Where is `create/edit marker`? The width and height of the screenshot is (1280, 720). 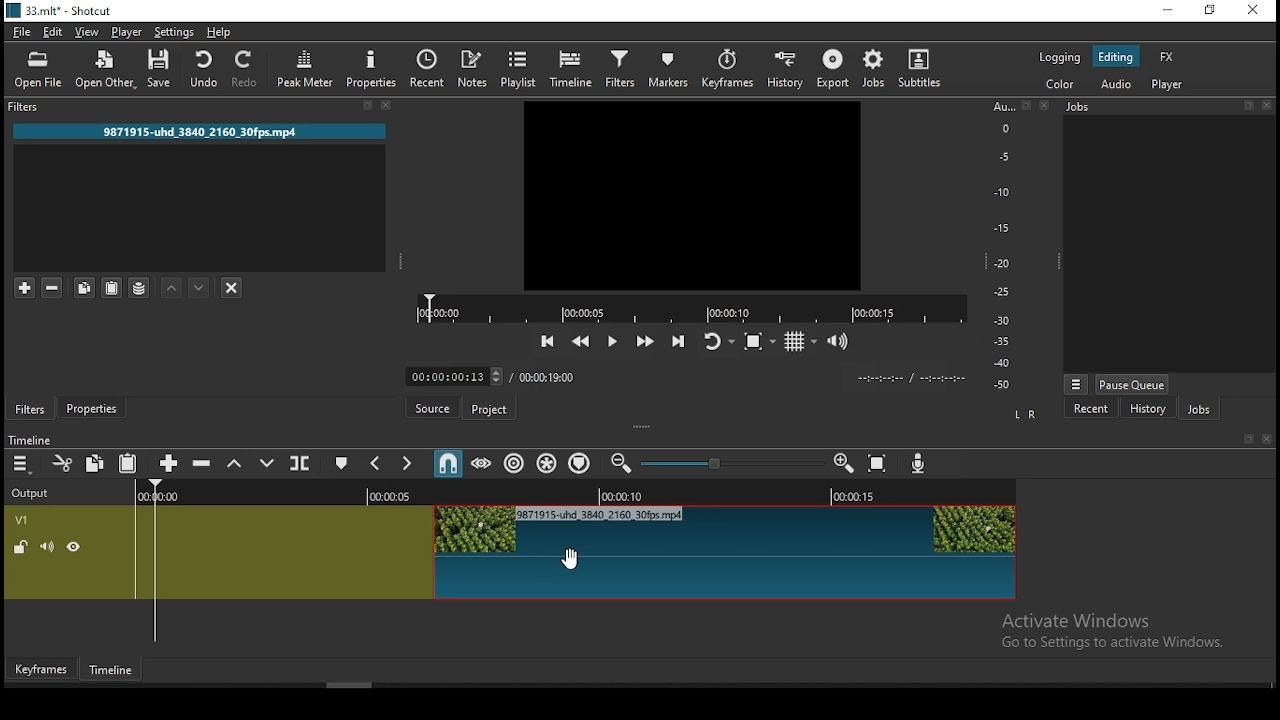
create/edit marker is located at coordinates (343, 464).